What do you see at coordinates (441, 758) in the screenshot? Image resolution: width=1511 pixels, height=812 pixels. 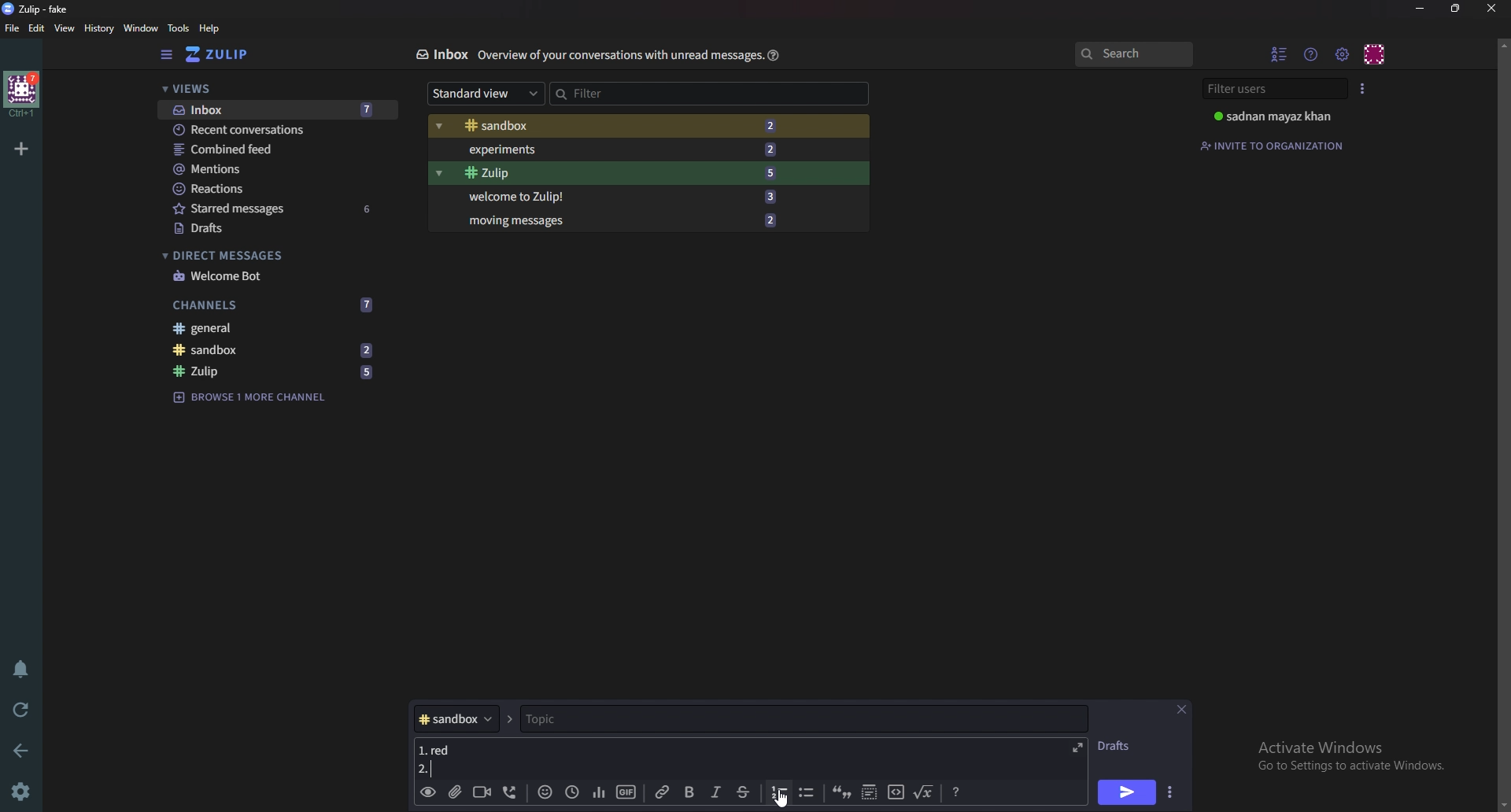 I see `Message` at bounding box center [441, 758].